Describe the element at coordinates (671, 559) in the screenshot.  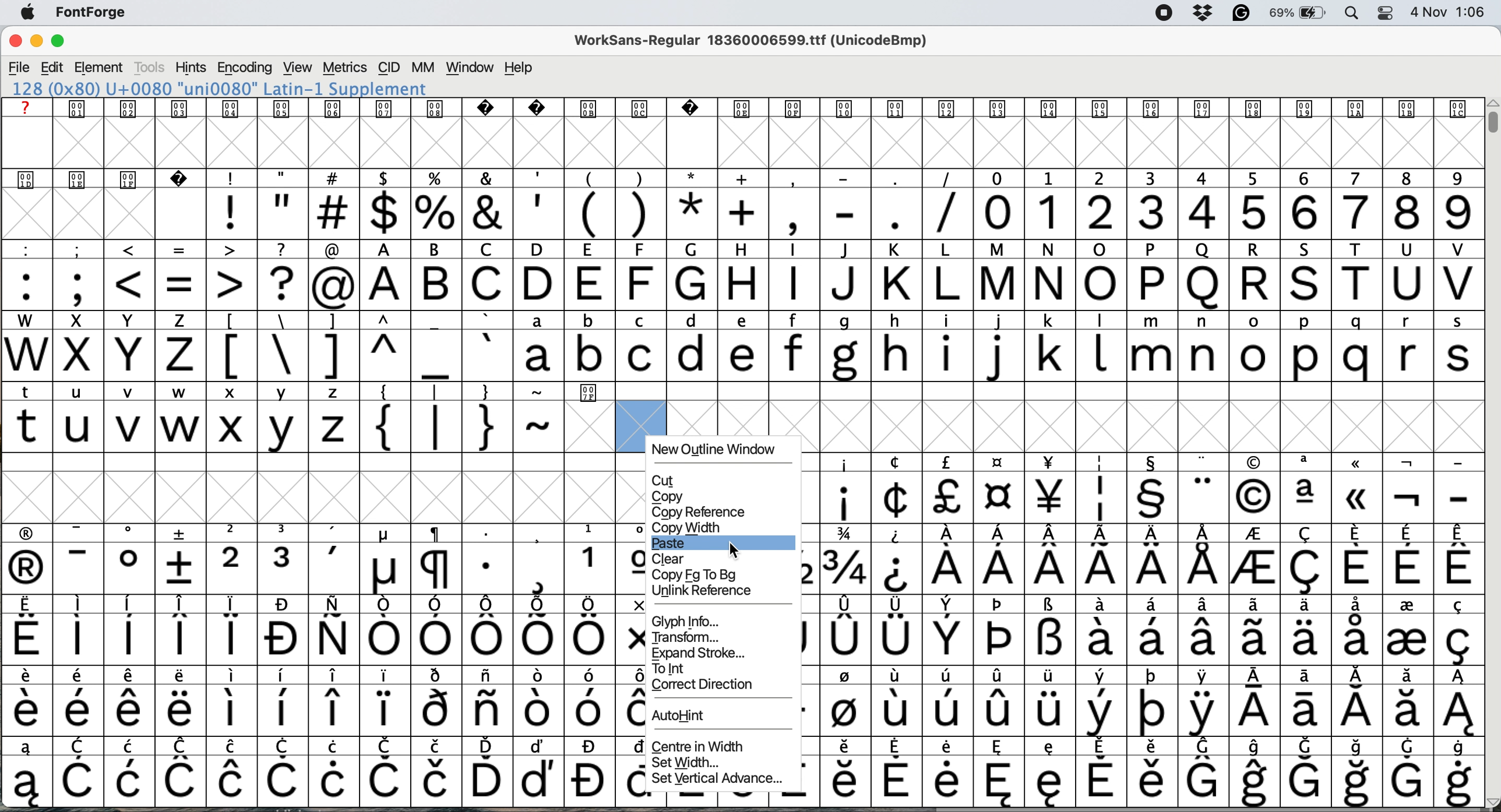
I see `clear` at that location.